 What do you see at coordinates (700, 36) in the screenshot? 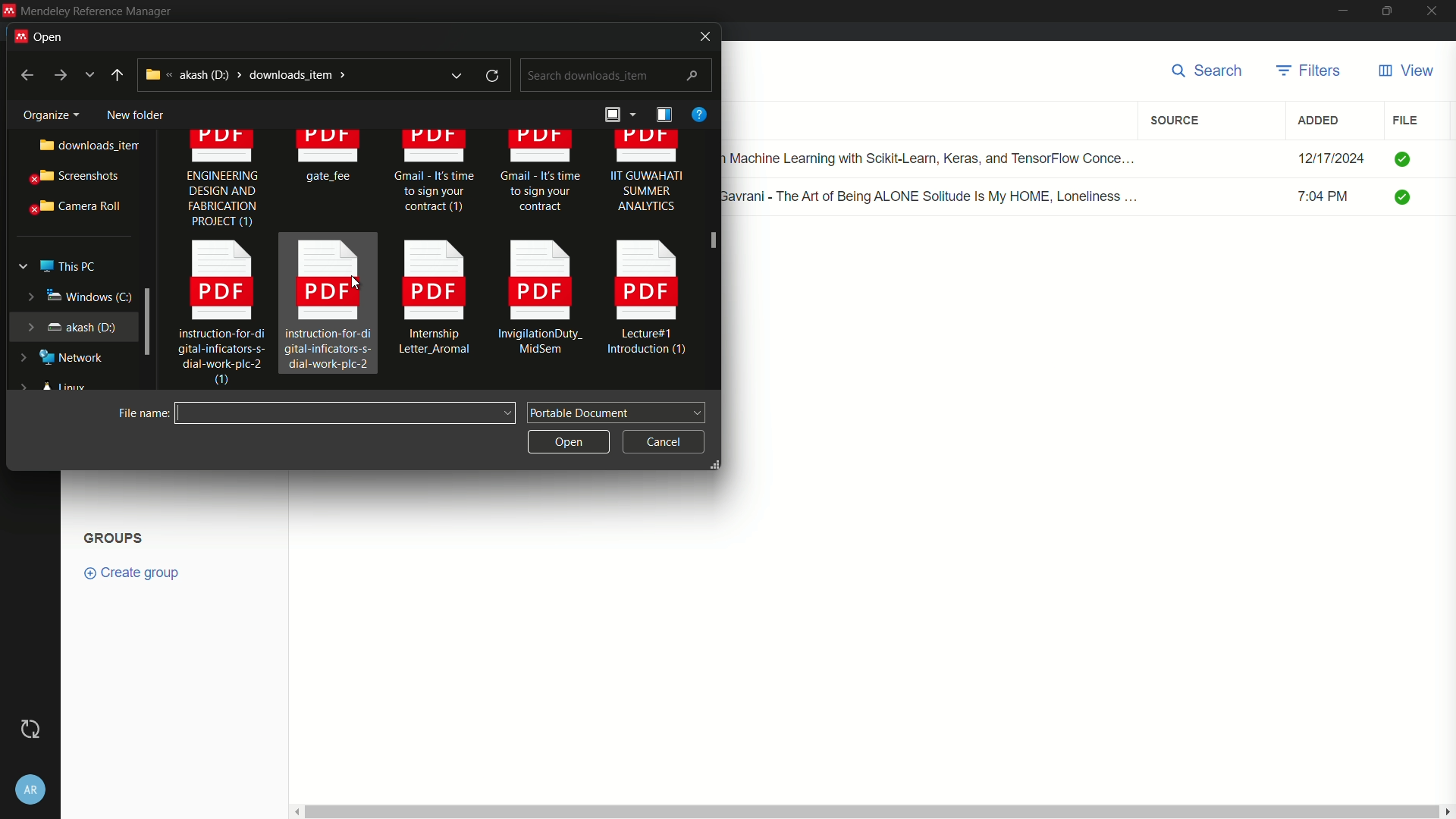
I see `close` at bounding box center [700, 36].